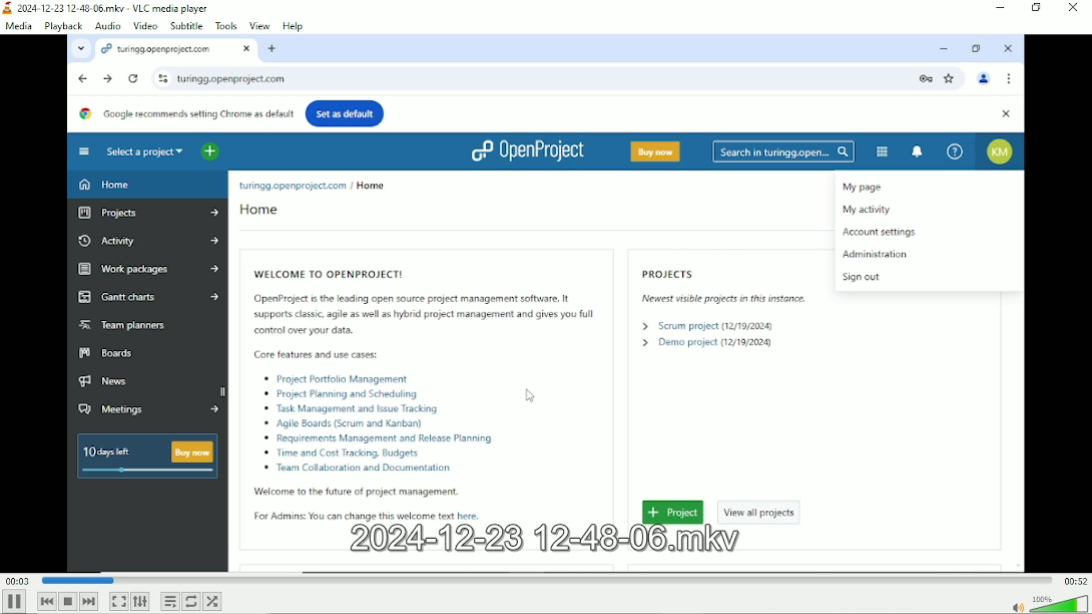 This screenshot has width=1092, height=614. What do you see at coordinates (1046, 603) in the screenshot?
I see `Volume` at bounding box center [1046, 603].